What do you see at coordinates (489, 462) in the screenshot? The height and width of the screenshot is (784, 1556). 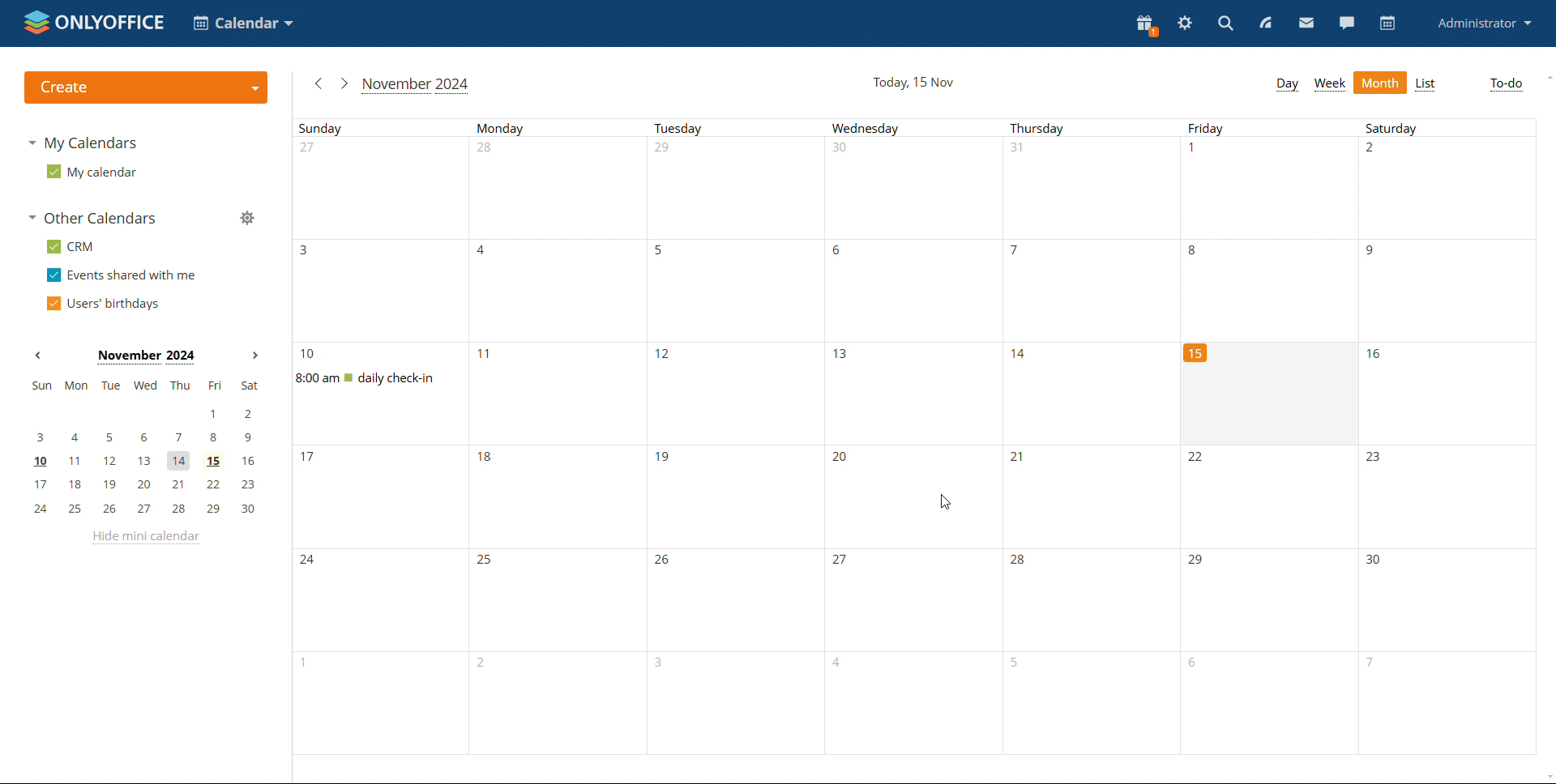 I see `Number` at bounding box center [489, 462].